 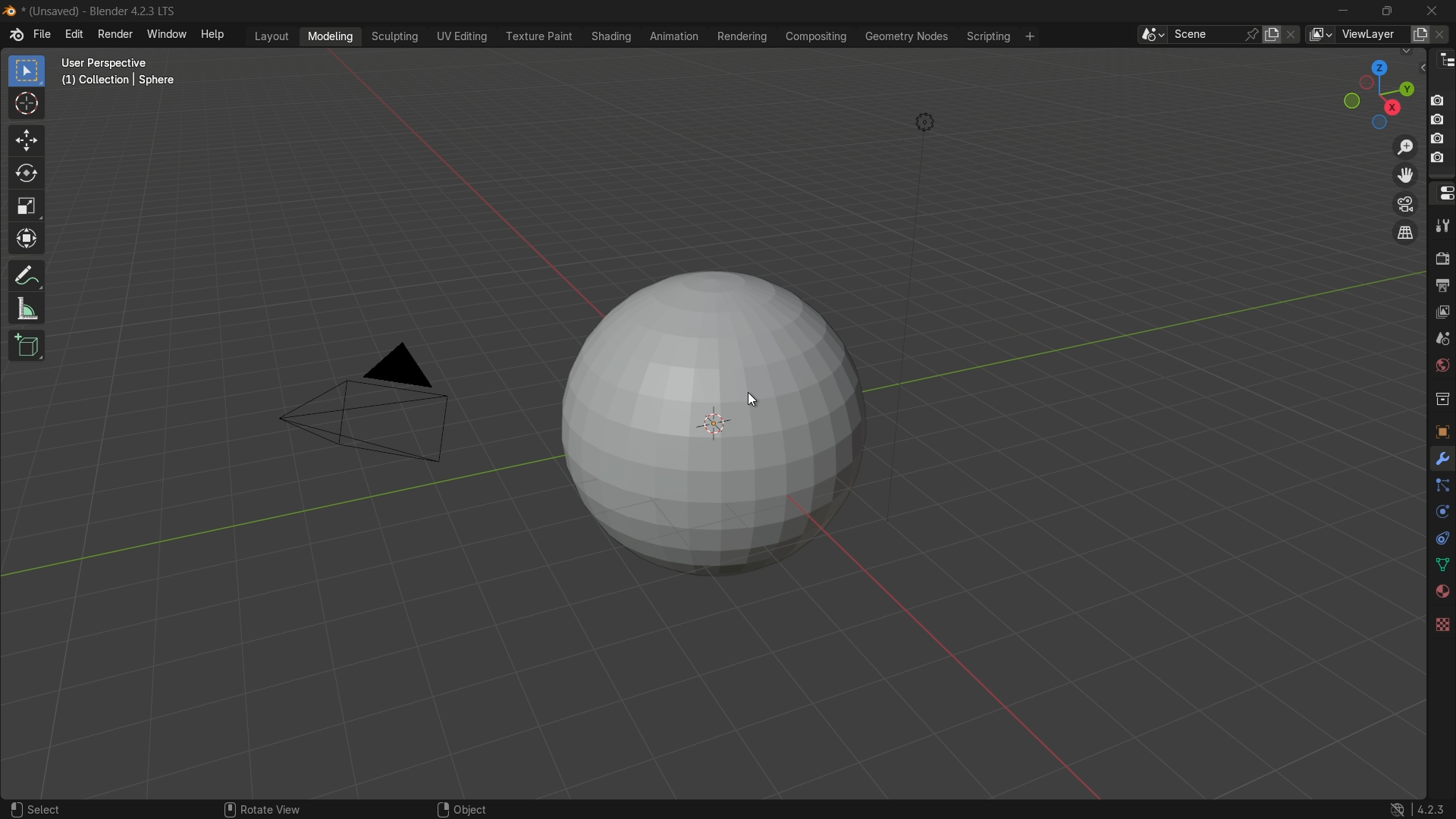 What do you see at coordinates (47, 804) in the screenshot?
I see `select` at bounding box center [47, 804].